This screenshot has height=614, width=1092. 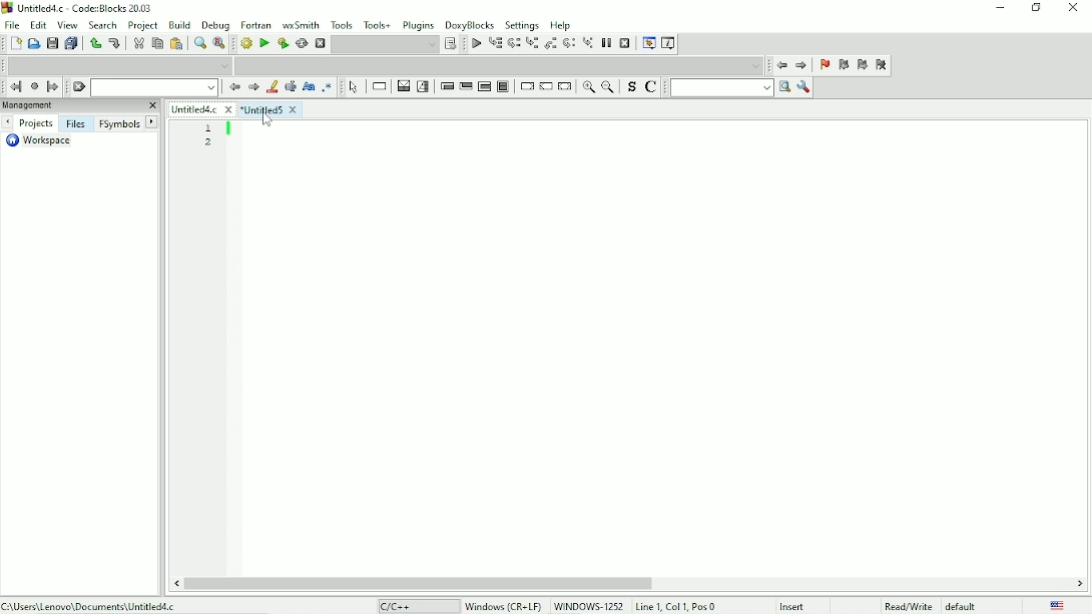 What do you see at coordinates (301, 44) in the screenshot?
I see `Rebuild` at bounding box center [301, 44].